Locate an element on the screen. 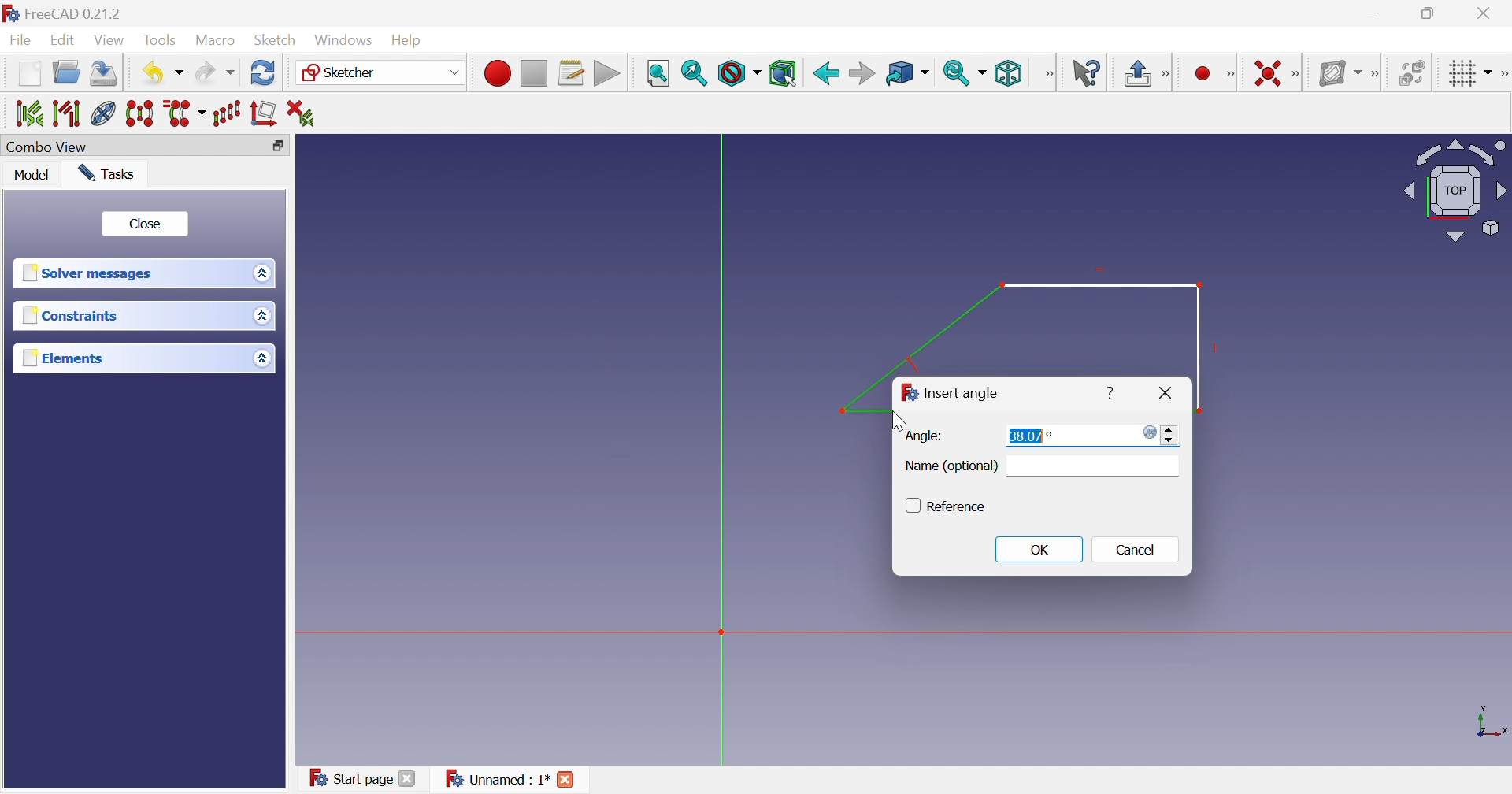 The height and width of the screenshot is (794, 1512). Drop Down is located at coordinates (259, 273).